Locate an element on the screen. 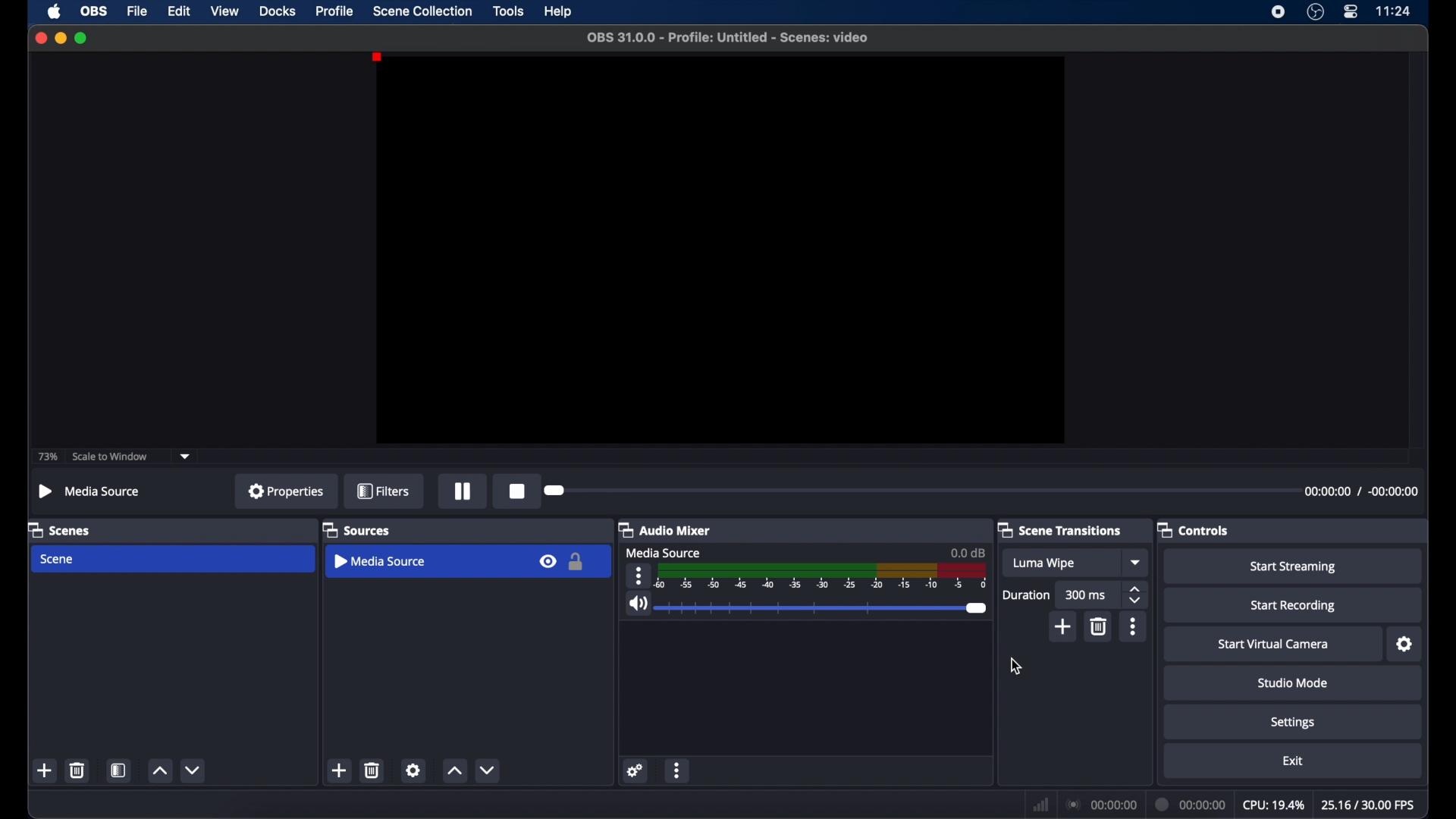 This screenshot has height=819, width=1456. media source is located at coordinates (378, 561).